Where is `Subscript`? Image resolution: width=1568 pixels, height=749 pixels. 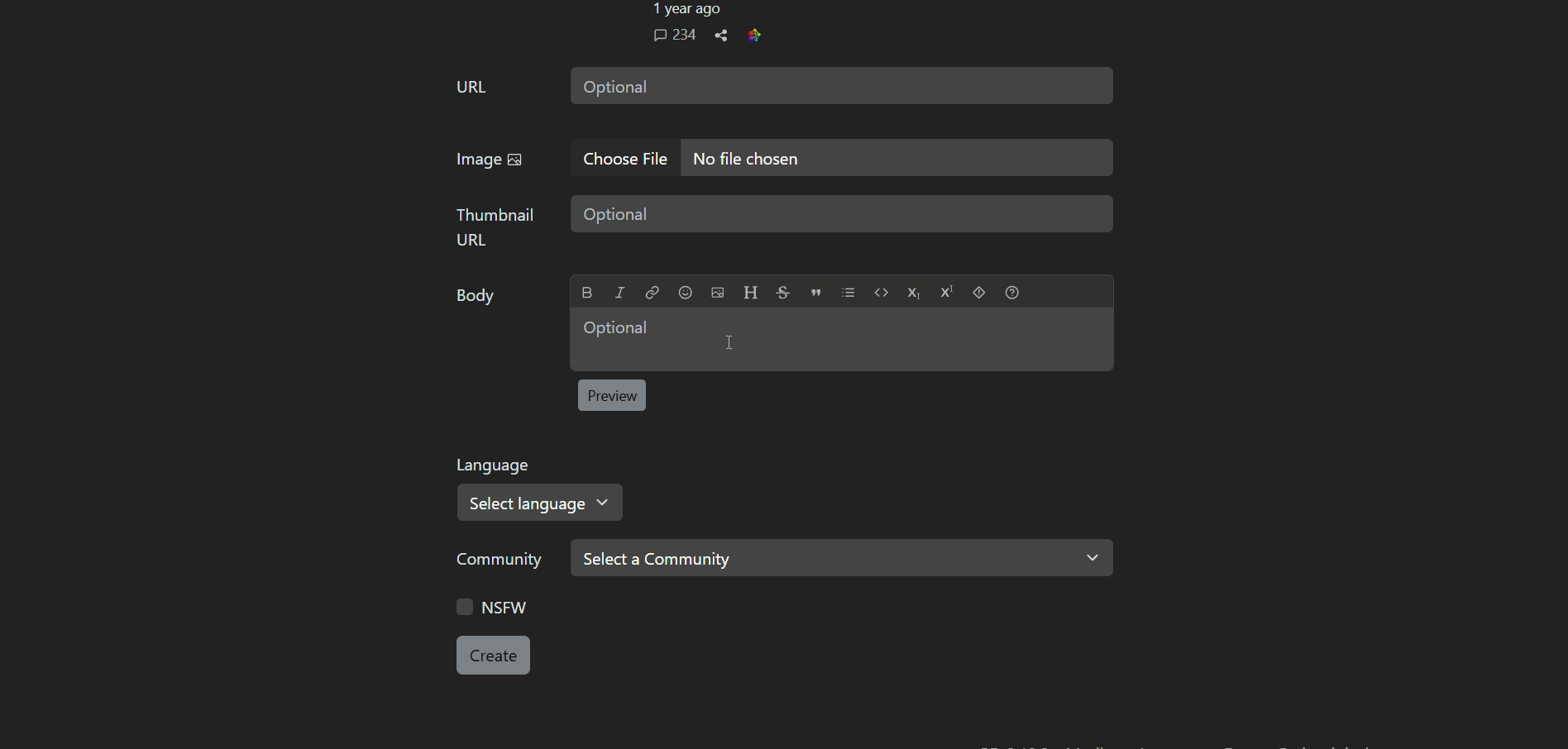 Subscript is located at coordinates (913, 293).